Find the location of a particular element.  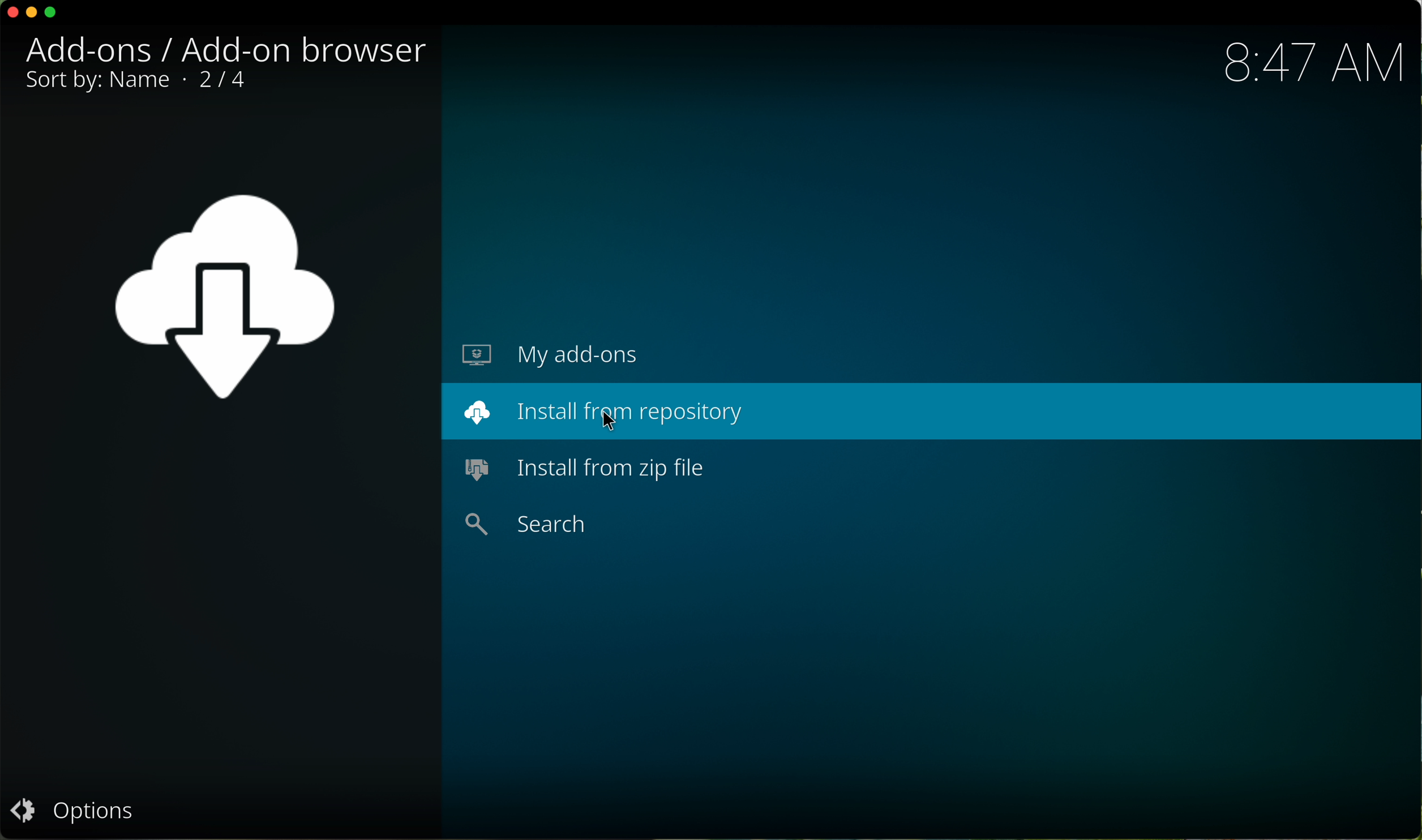

install from zip file is located at coordinates (585, 468).